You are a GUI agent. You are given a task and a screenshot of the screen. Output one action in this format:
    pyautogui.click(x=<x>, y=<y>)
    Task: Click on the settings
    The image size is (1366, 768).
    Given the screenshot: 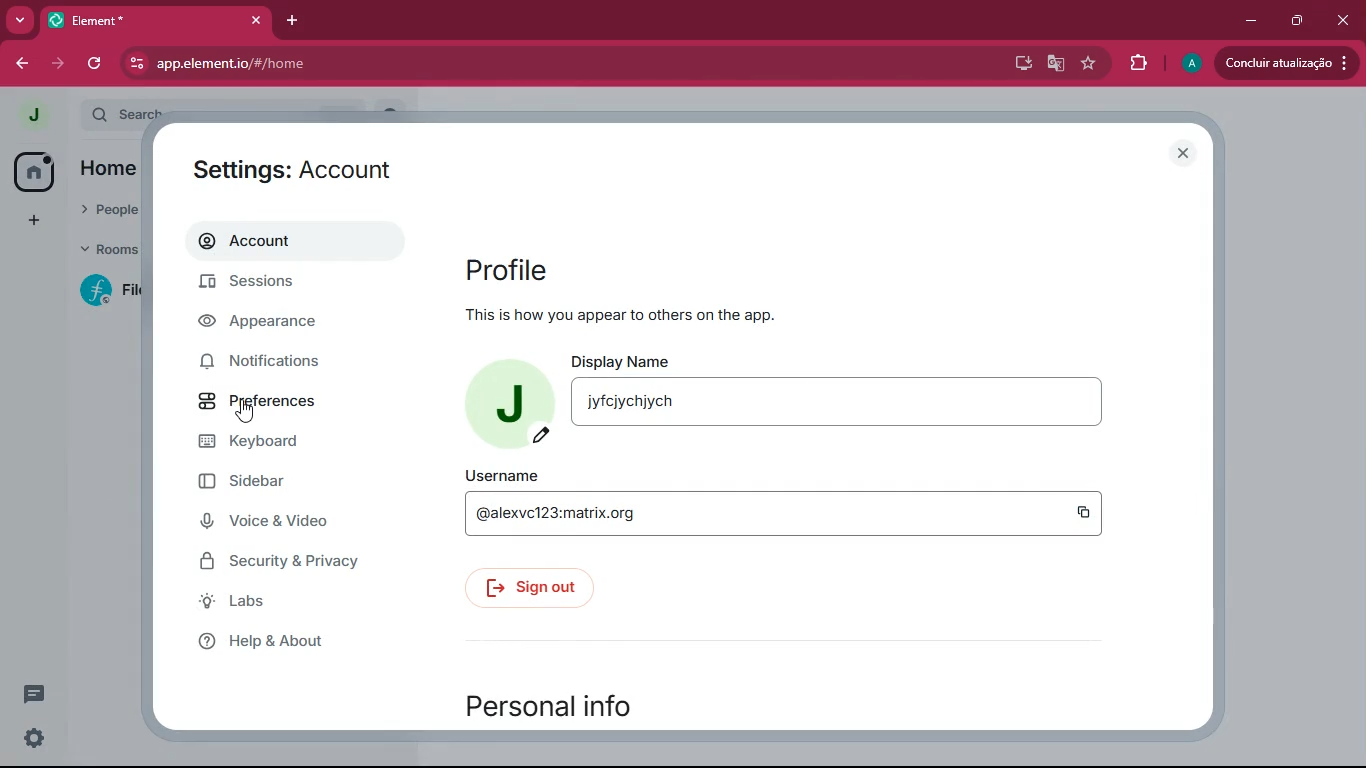 What is the action you would take?
    pyautogui.click(x=36, y=738)
    